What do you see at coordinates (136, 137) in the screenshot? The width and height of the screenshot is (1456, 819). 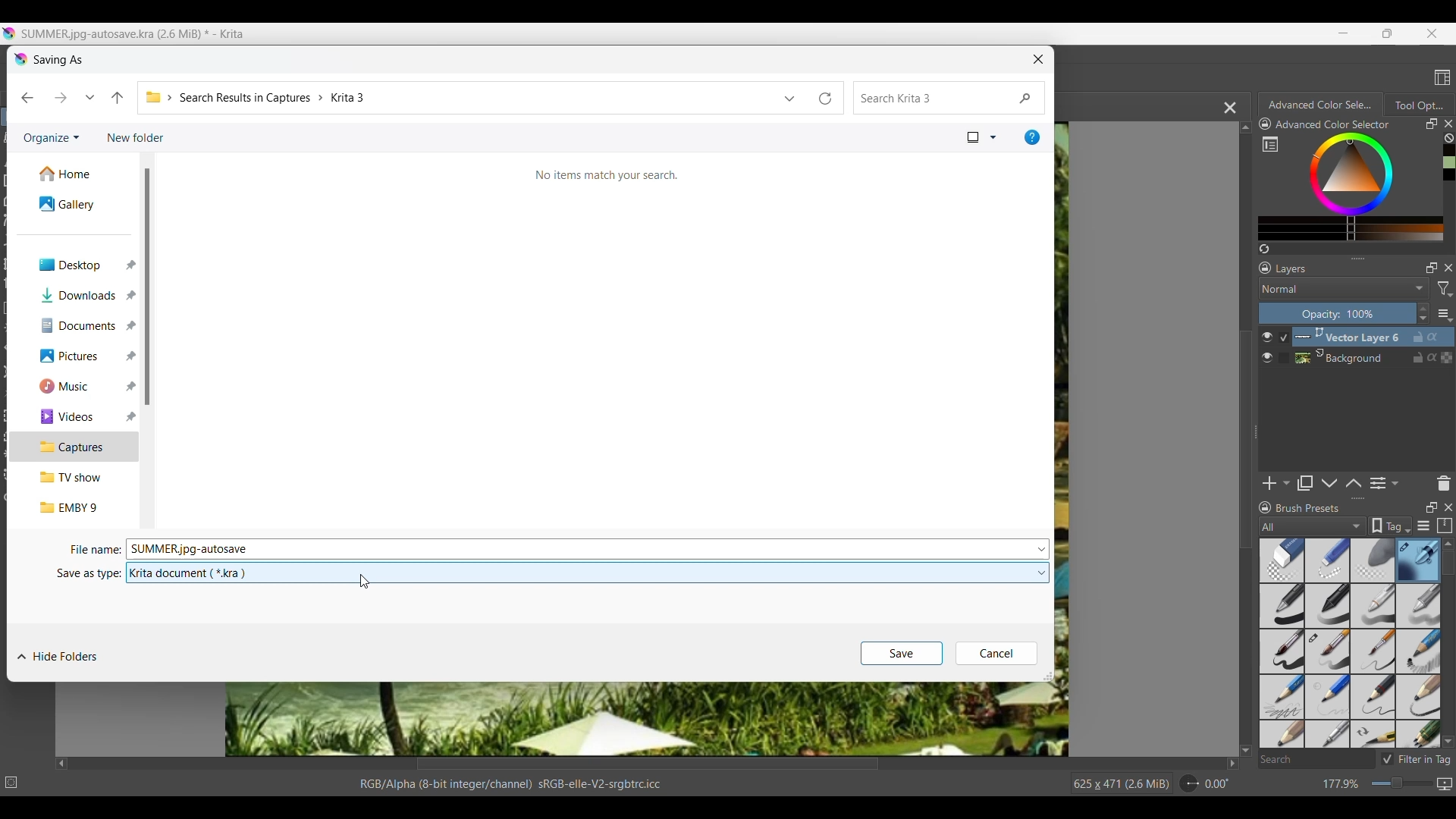 I see `Create new folder` at bounding box center [136, 137].